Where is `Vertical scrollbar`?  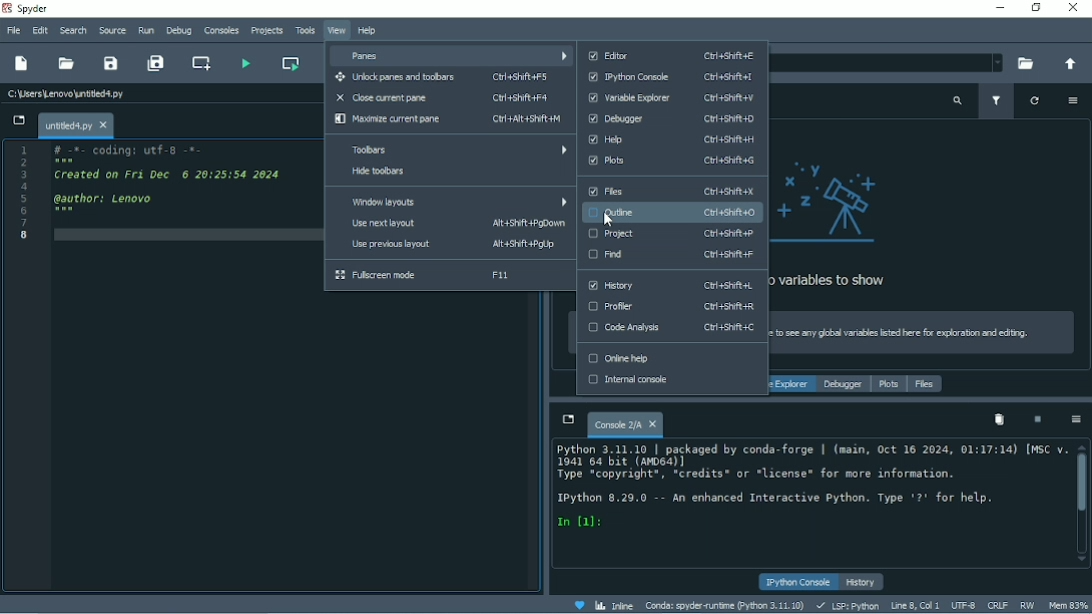
Vertical scrollbar is located at coordinates (1082, 486).